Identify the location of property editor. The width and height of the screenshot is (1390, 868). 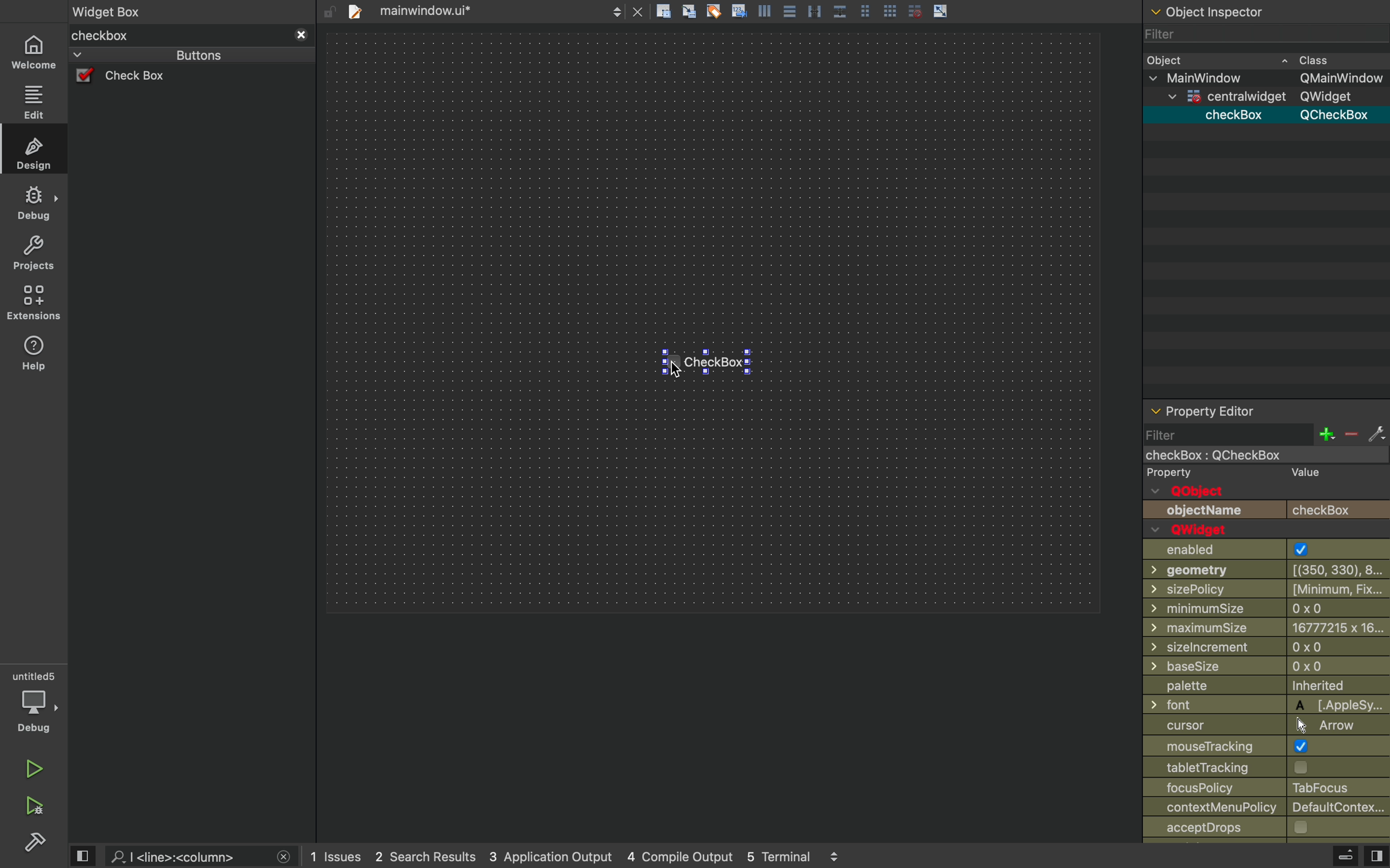
(1267, 411).